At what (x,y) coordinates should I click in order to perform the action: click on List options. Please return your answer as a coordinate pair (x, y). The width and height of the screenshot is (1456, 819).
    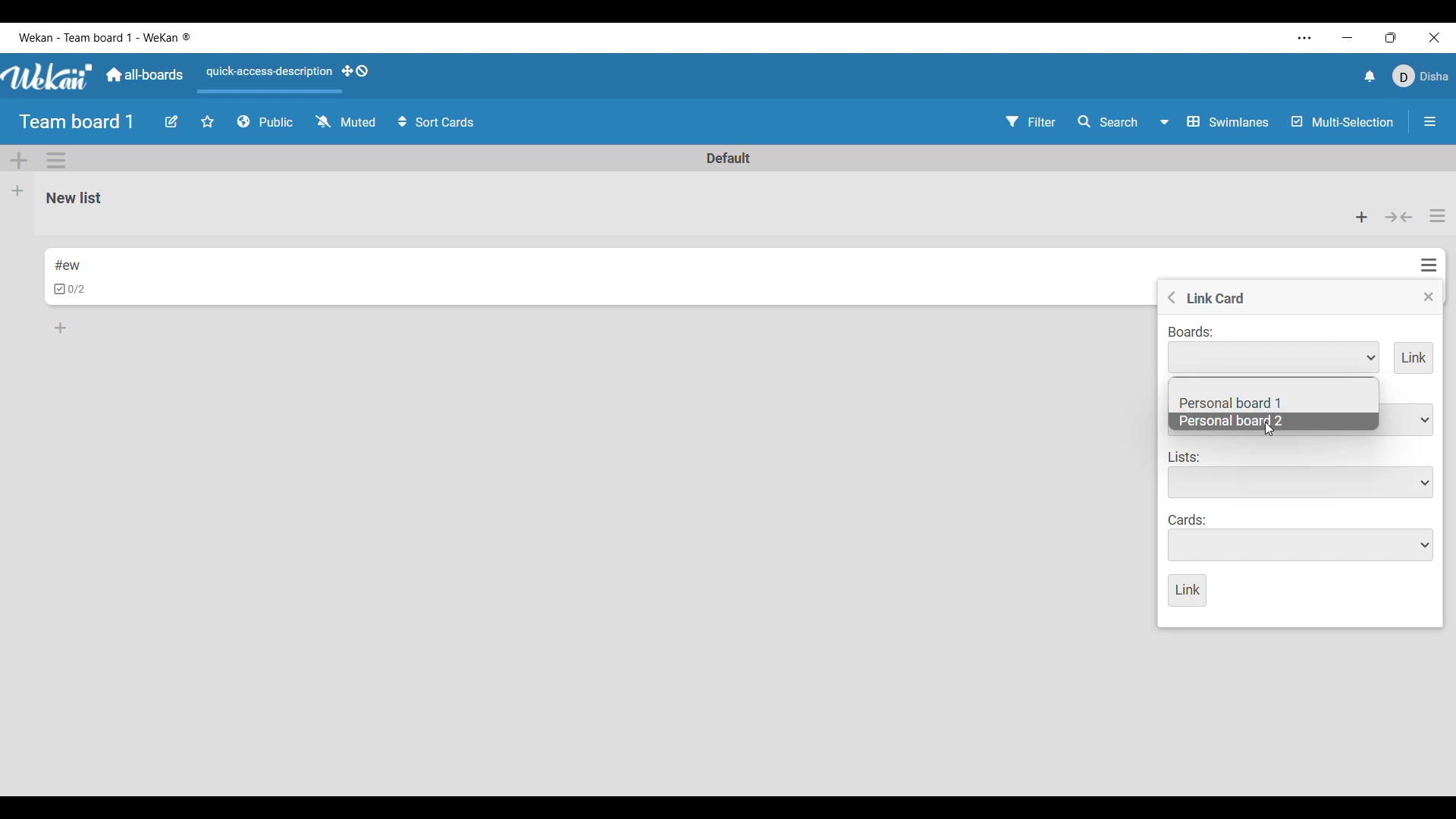
    Looking at the image, I should click on (1301, 482).